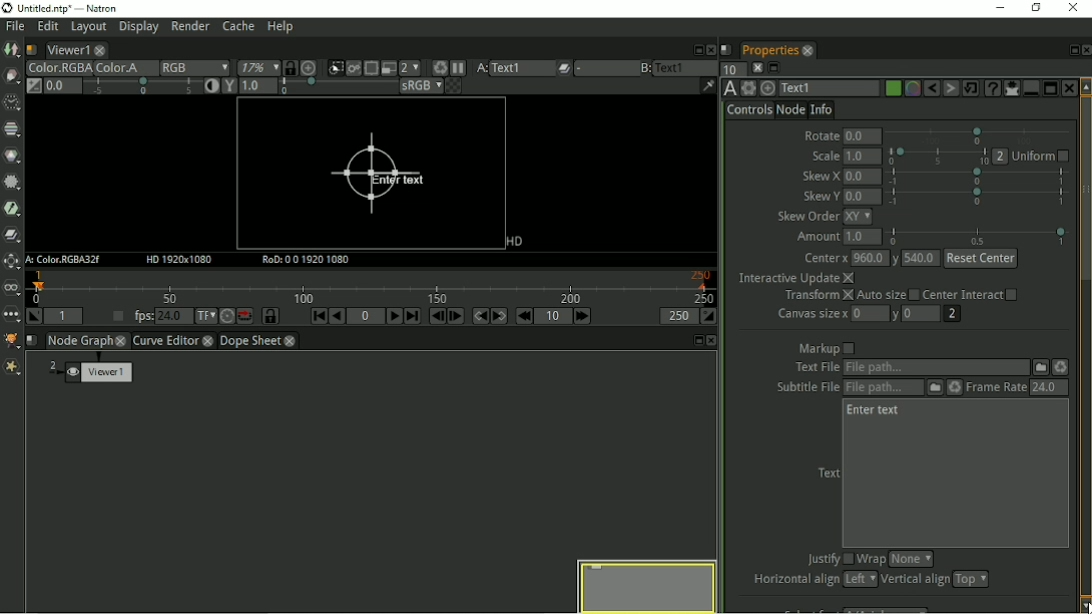 This screenshot has width=1092, height=614. What do you see at coordinates (584, 316) in the screenshot?
I see `Next increment` at bounding box center [584, 316].